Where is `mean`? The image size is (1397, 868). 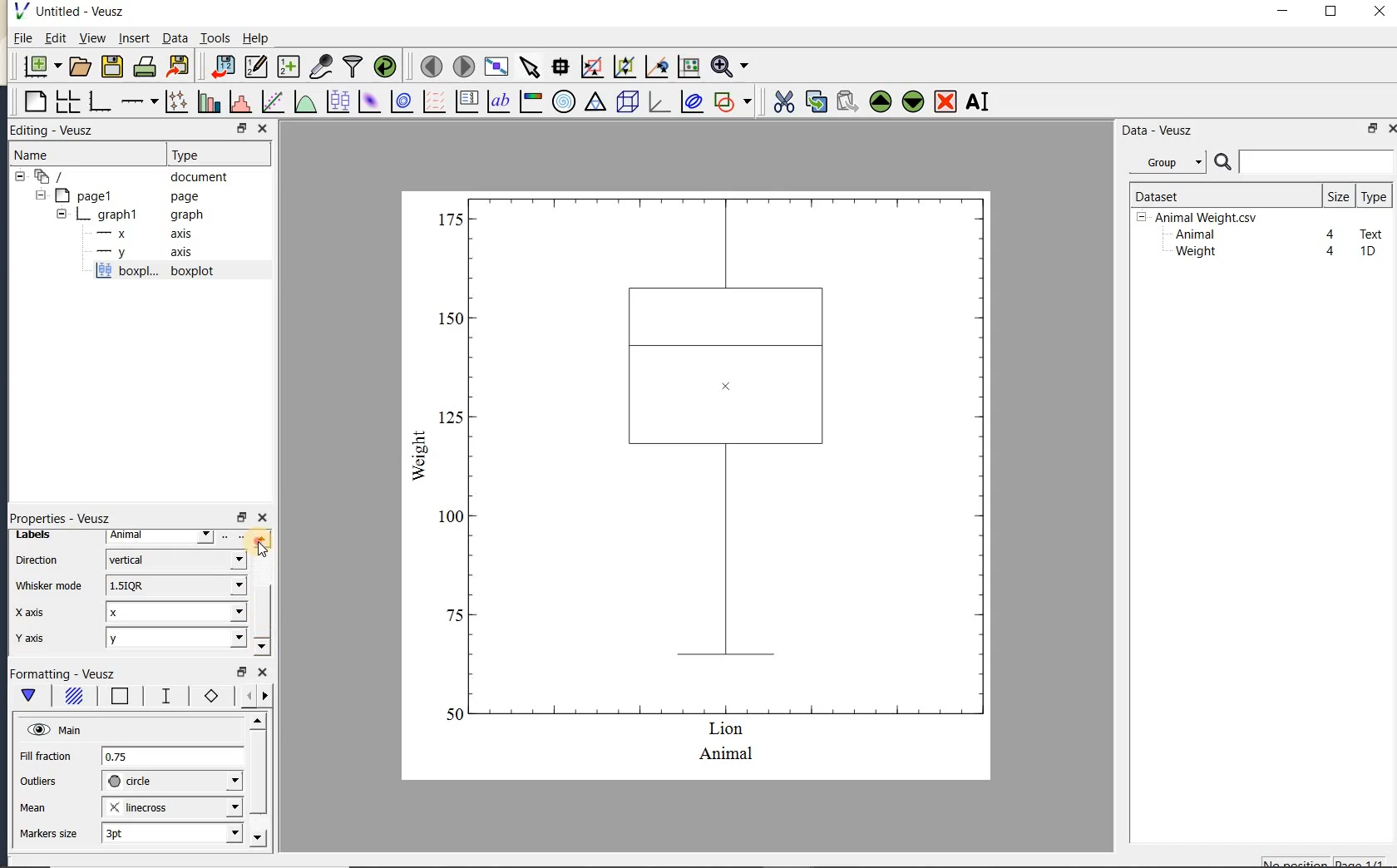 mean is located at coordinates (34, 806).